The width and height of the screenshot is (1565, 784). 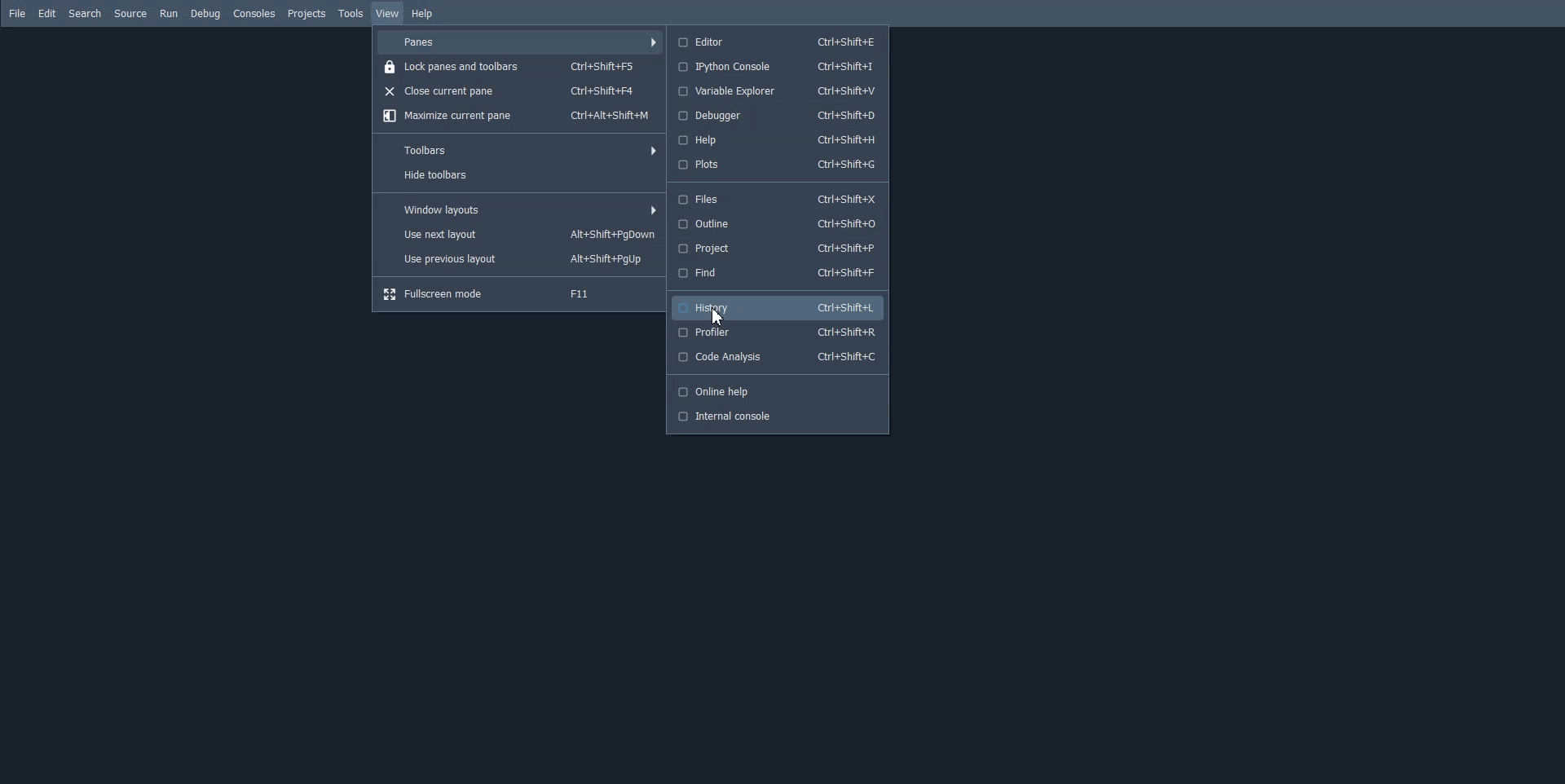 What do you see at coordinates (777, 41) in the screenshot?
I see `Editor` at bounding box center [777, 41].